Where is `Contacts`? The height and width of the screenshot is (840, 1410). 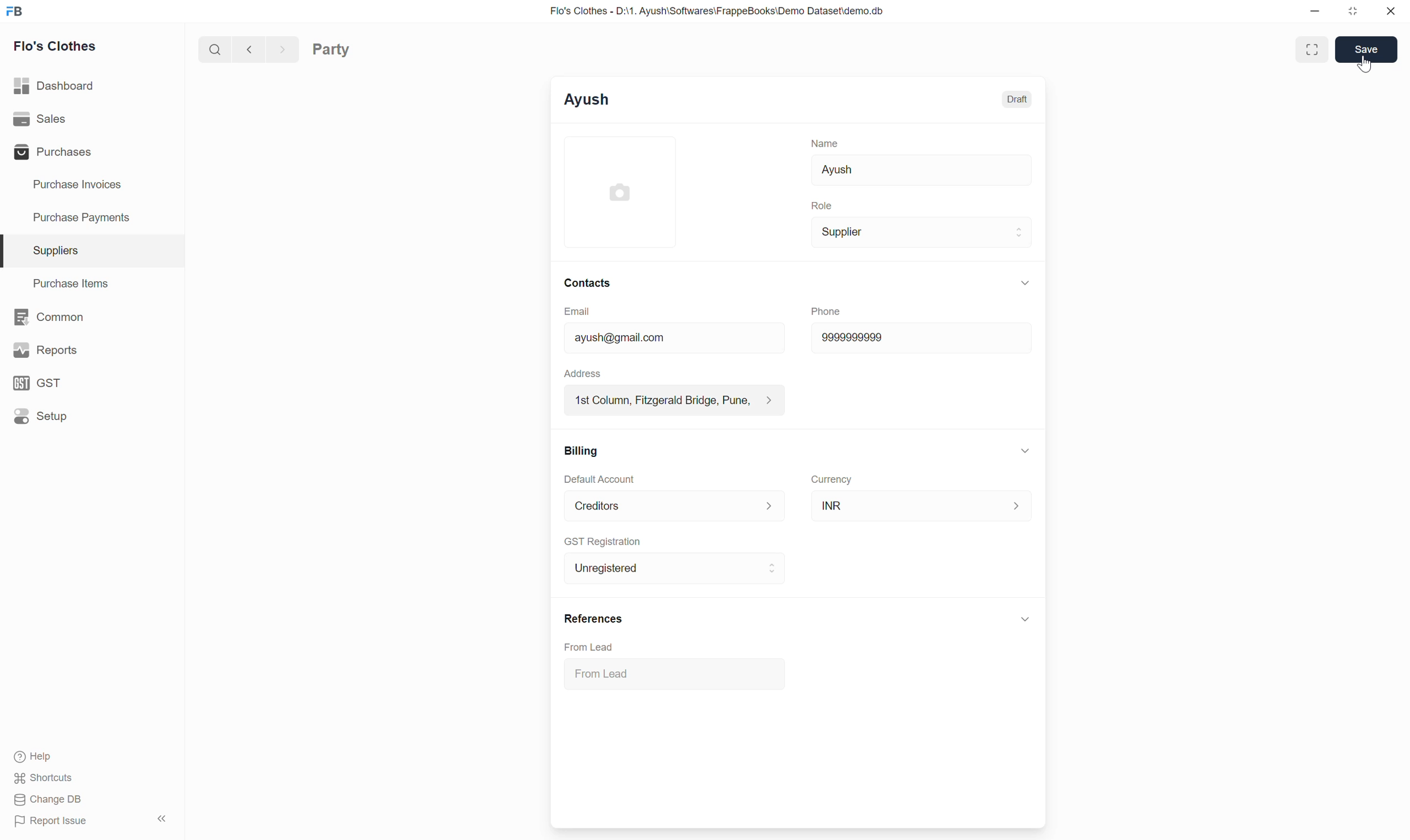 Contacts is located at coordinates (588, 283).